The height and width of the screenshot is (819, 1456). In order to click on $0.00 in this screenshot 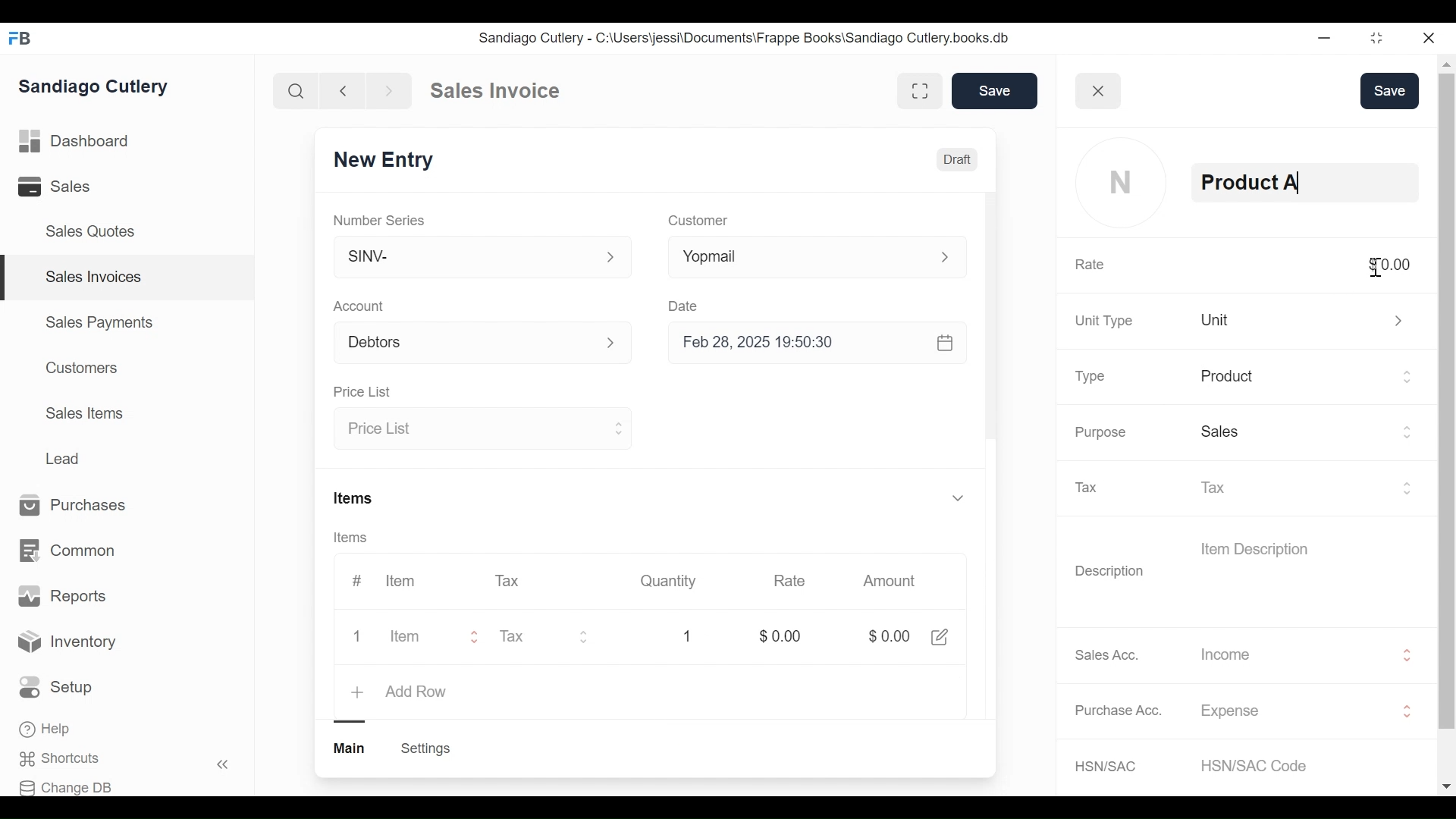, I will do `click(777, 634)`.